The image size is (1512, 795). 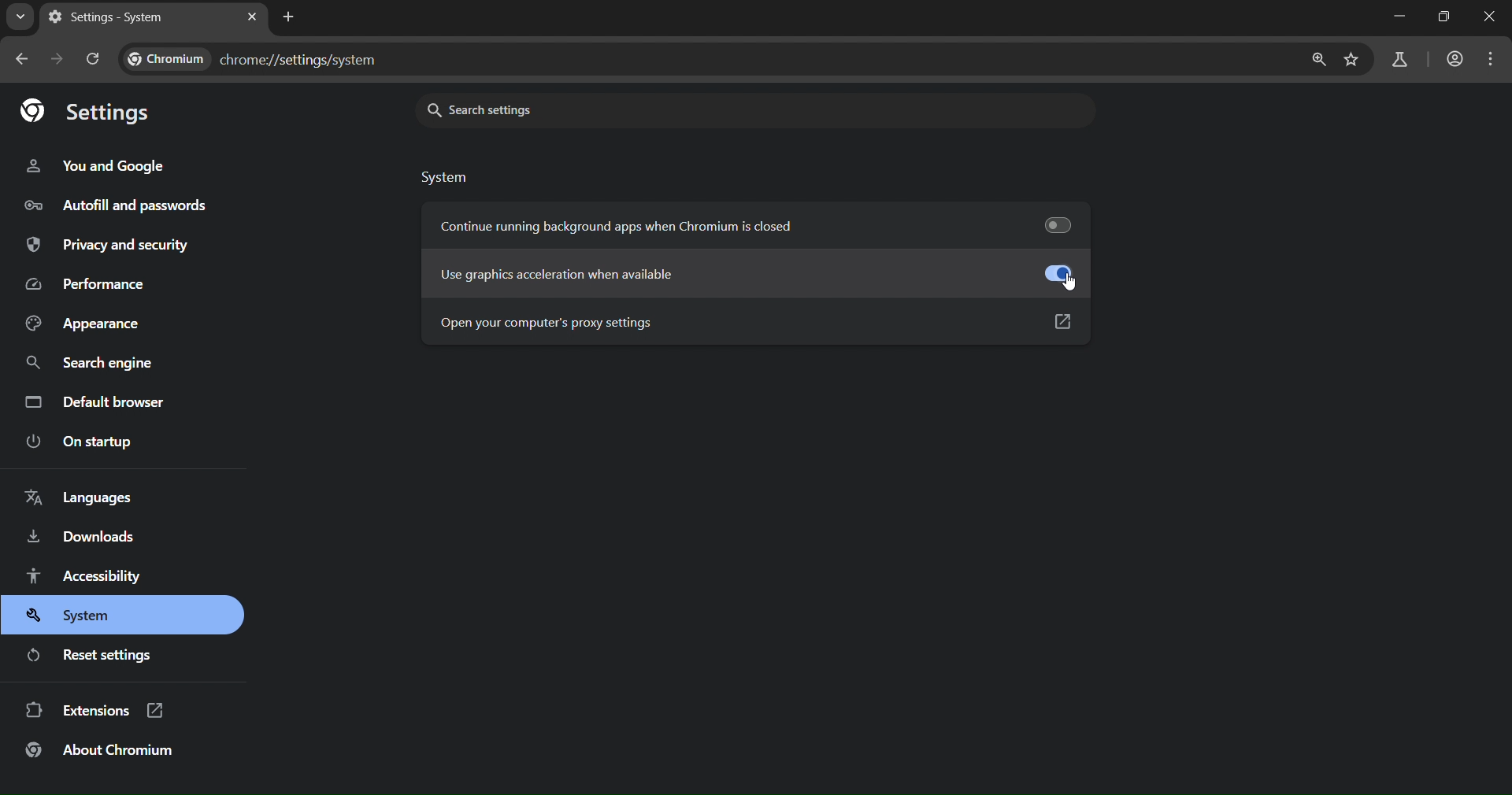 What do you see at coordinates (20, 19) in the screenshot?
I see `search tabs` at bounding box center [20, 19].